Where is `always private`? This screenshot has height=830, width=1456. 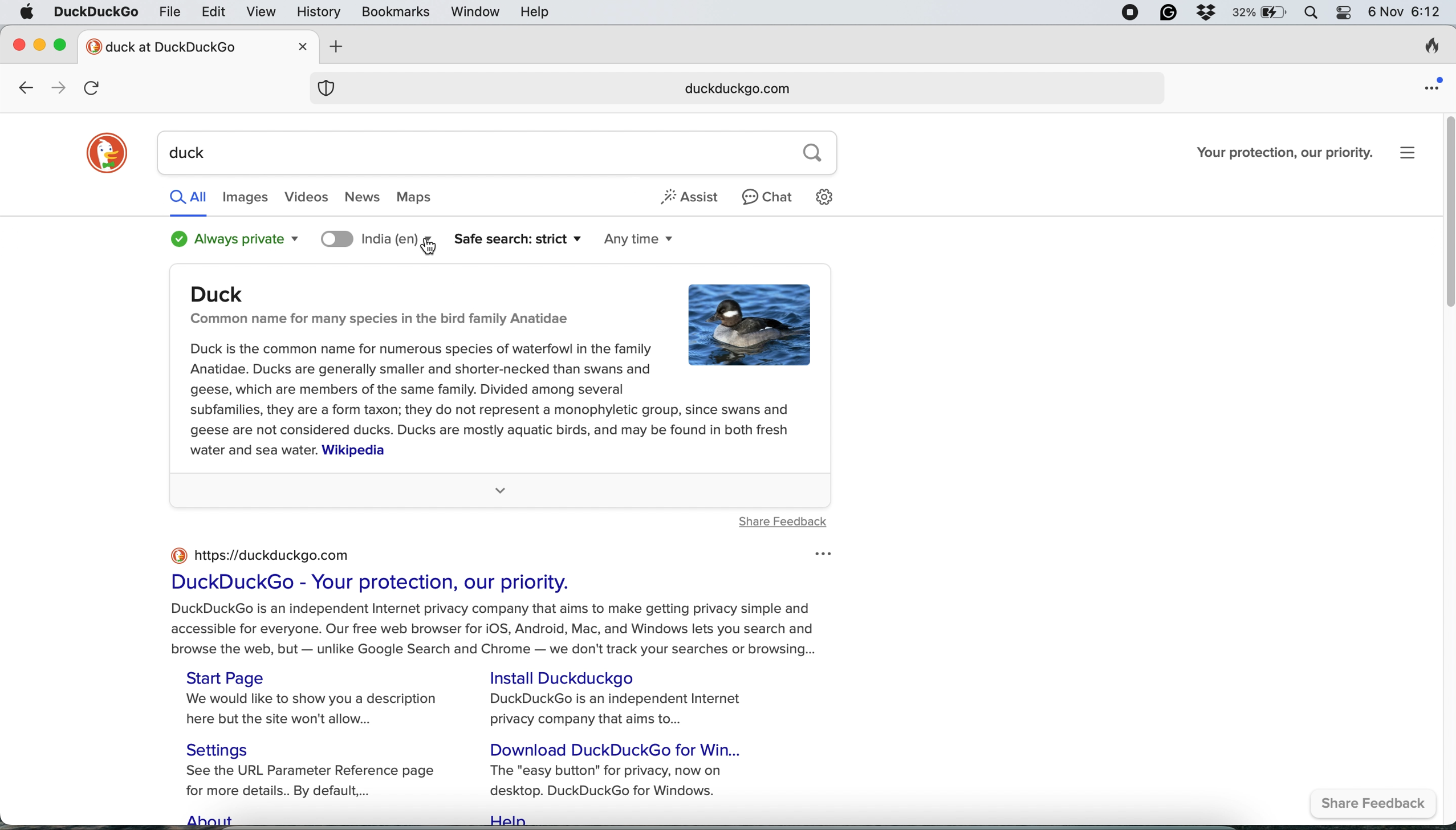 always private is located at coordinates (229, 239).